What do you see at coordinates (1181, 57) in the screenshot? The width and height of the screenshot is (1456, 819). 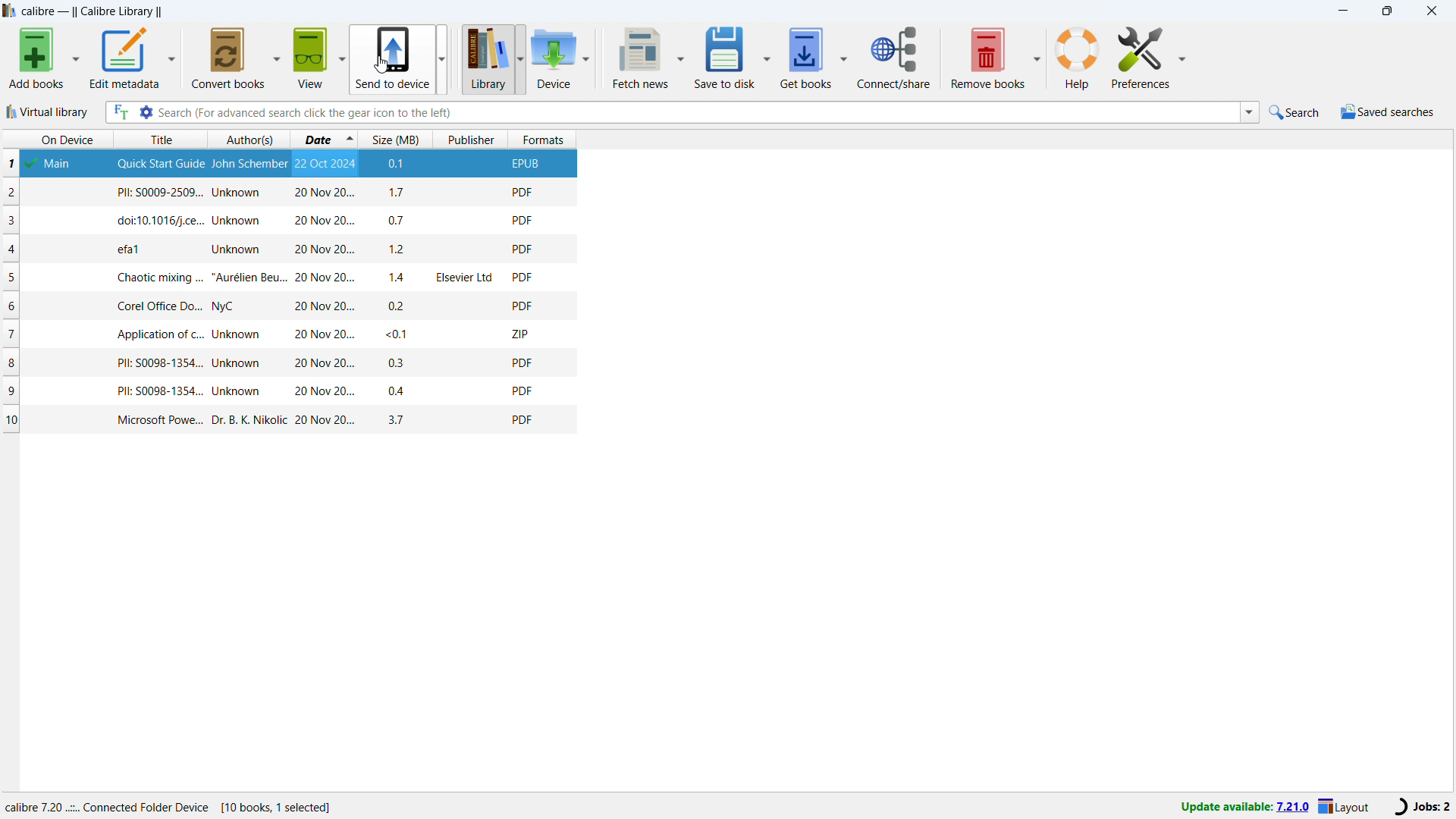 I see `preferences options` at bounding box center [1181, 57].